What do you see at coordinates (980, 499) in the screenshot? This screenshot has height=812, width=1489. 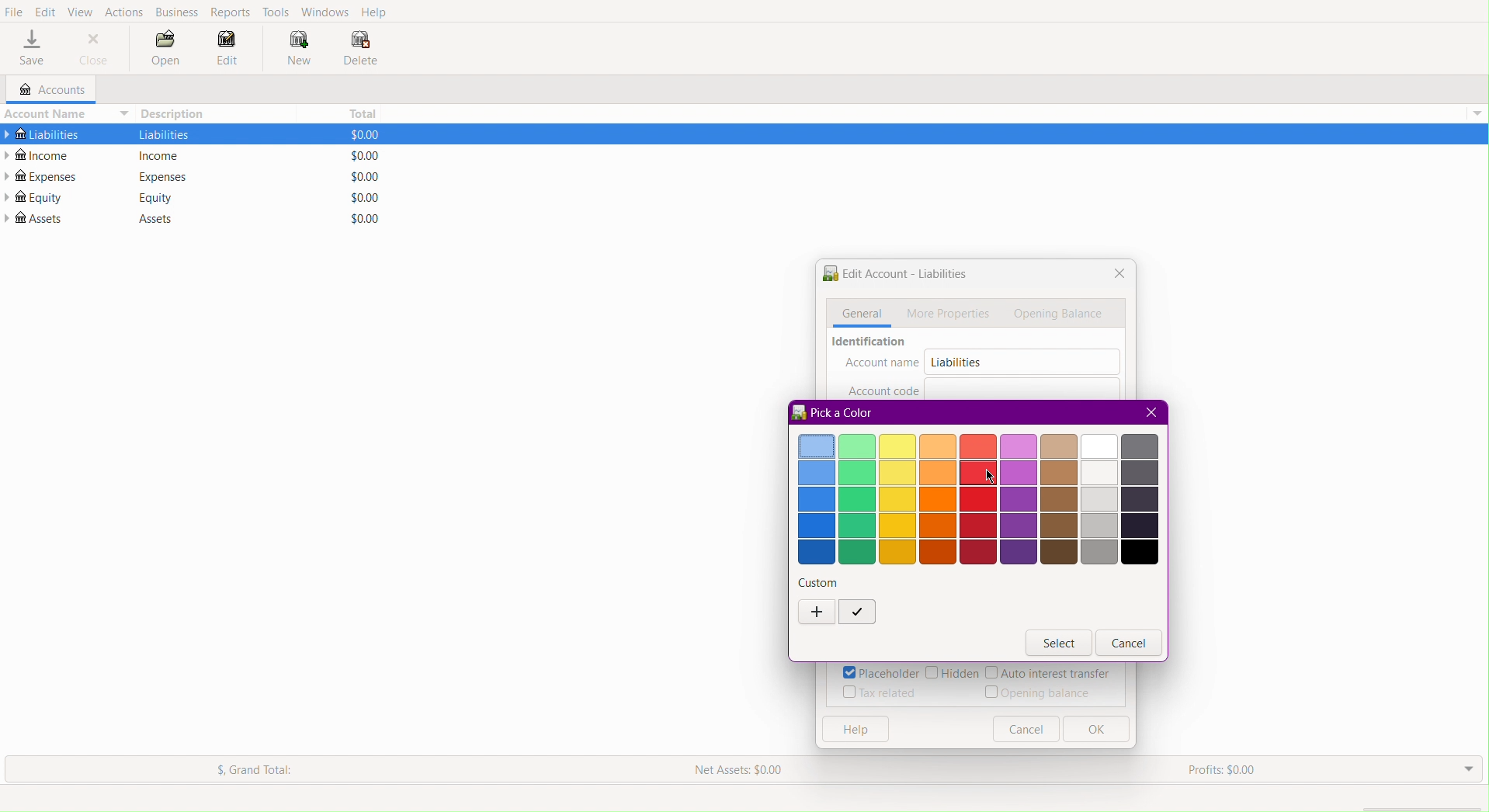 I see `Color options` at bounding box center [980, 499].